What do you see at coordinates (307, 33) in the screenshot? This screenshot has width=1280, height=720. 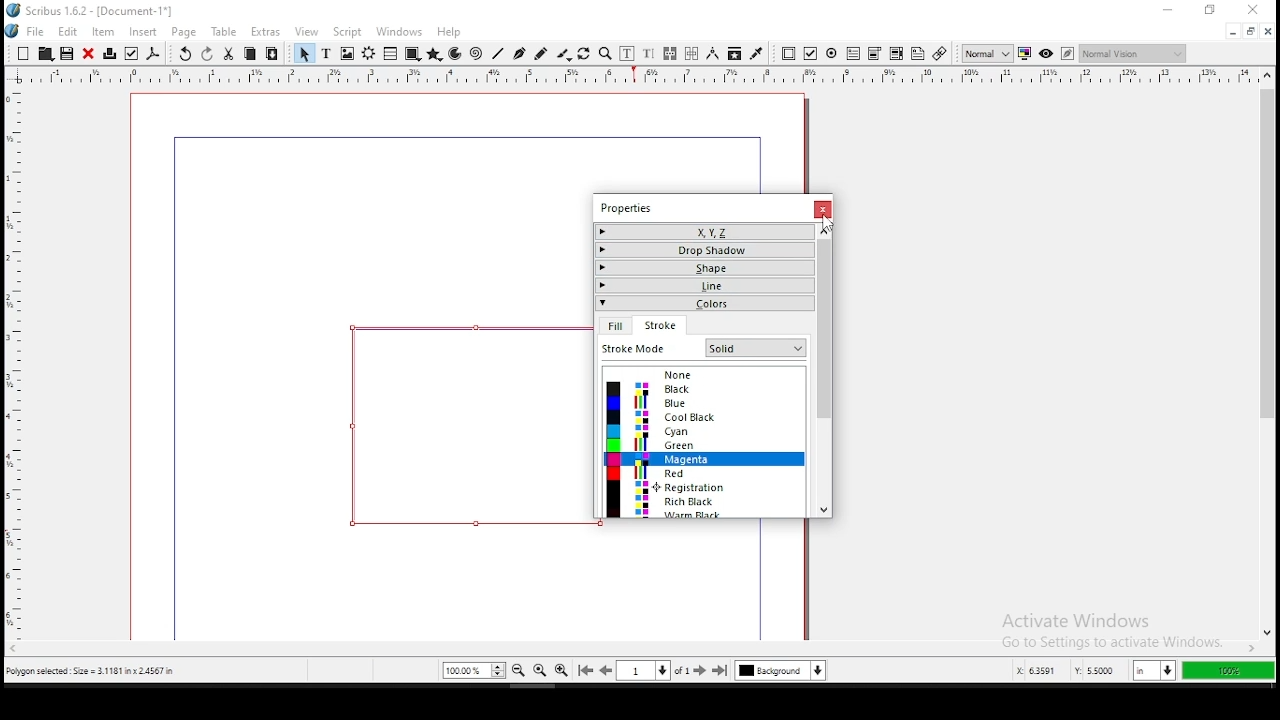 I see `view` at bounding box center [307, 33].